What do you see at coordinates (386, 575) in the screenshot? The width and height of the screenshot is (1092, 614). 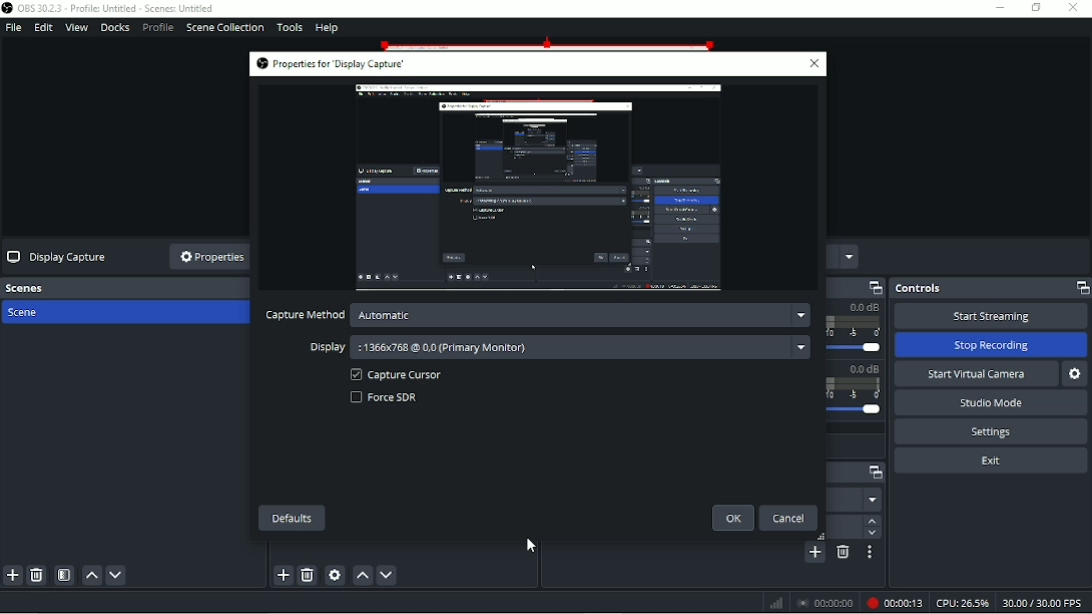 I see `Move source(s) down` at bounding box center [386, 575].